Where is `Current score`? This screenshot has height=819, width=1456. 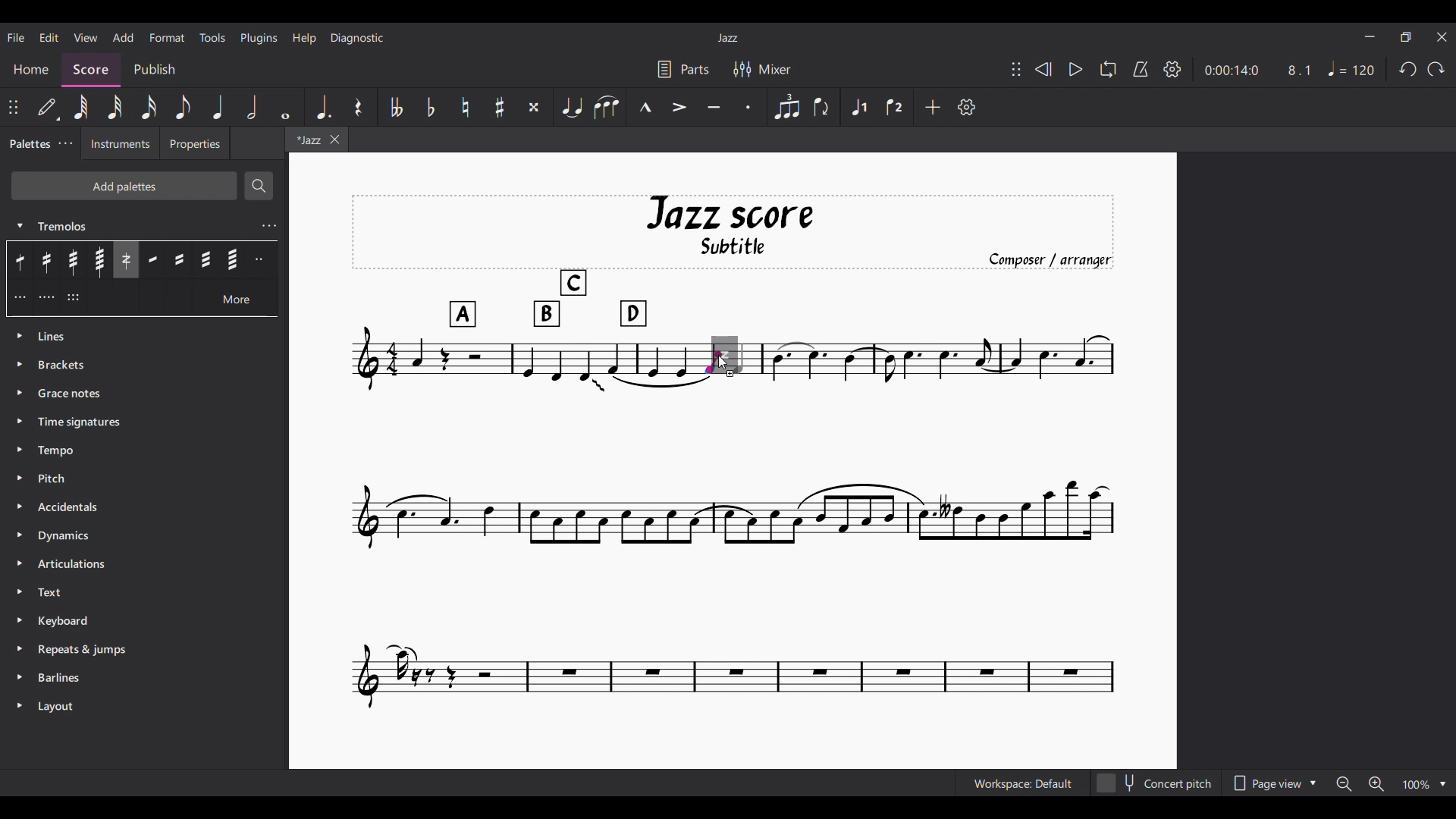 Current score is located at coordinates (928, 356).